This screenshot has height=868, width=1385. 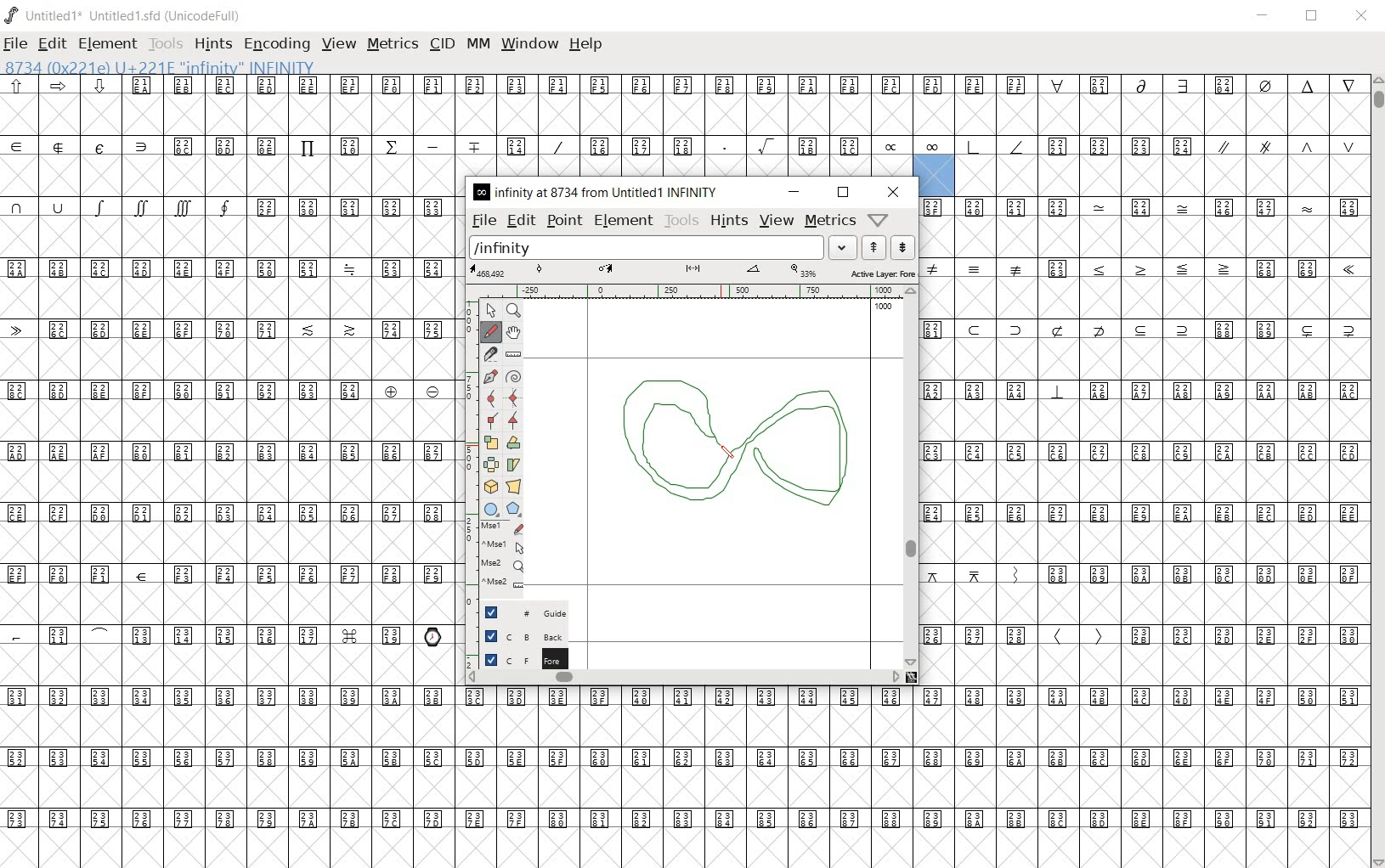 What do you see at coordinates (1263, 16) in the screenshot?
I see `minimize` at bounding box center [1263, 16].